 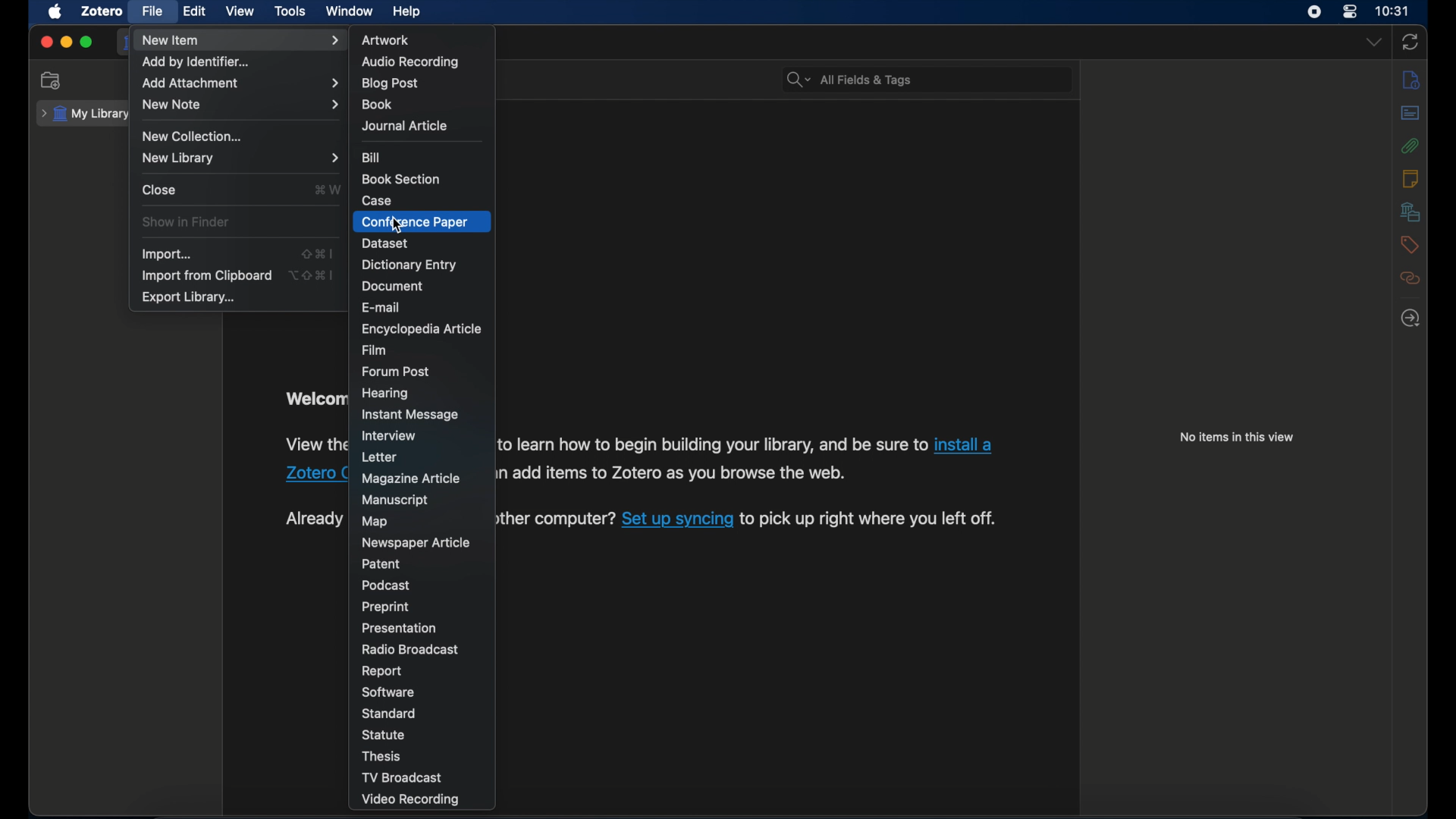 What do you see at coordinates (385, 243) in the screenshot?
I see `dataset` at bounding box center [385, 243].